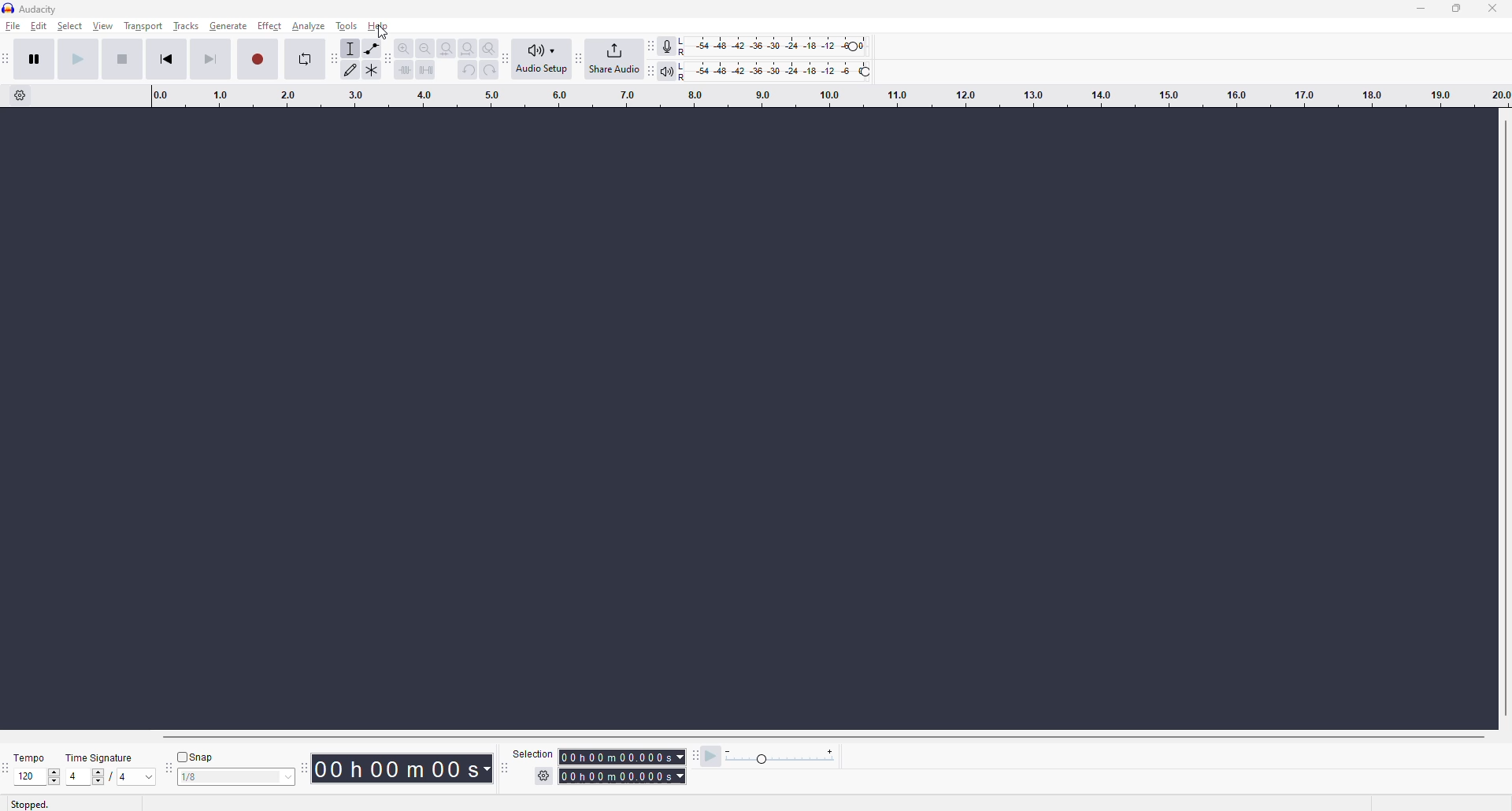 Image resolution: width=1512 pixels, height=811 pixels. Describe the element at coordinates (487, 70) in the screenshot. I see `redo` at that location.